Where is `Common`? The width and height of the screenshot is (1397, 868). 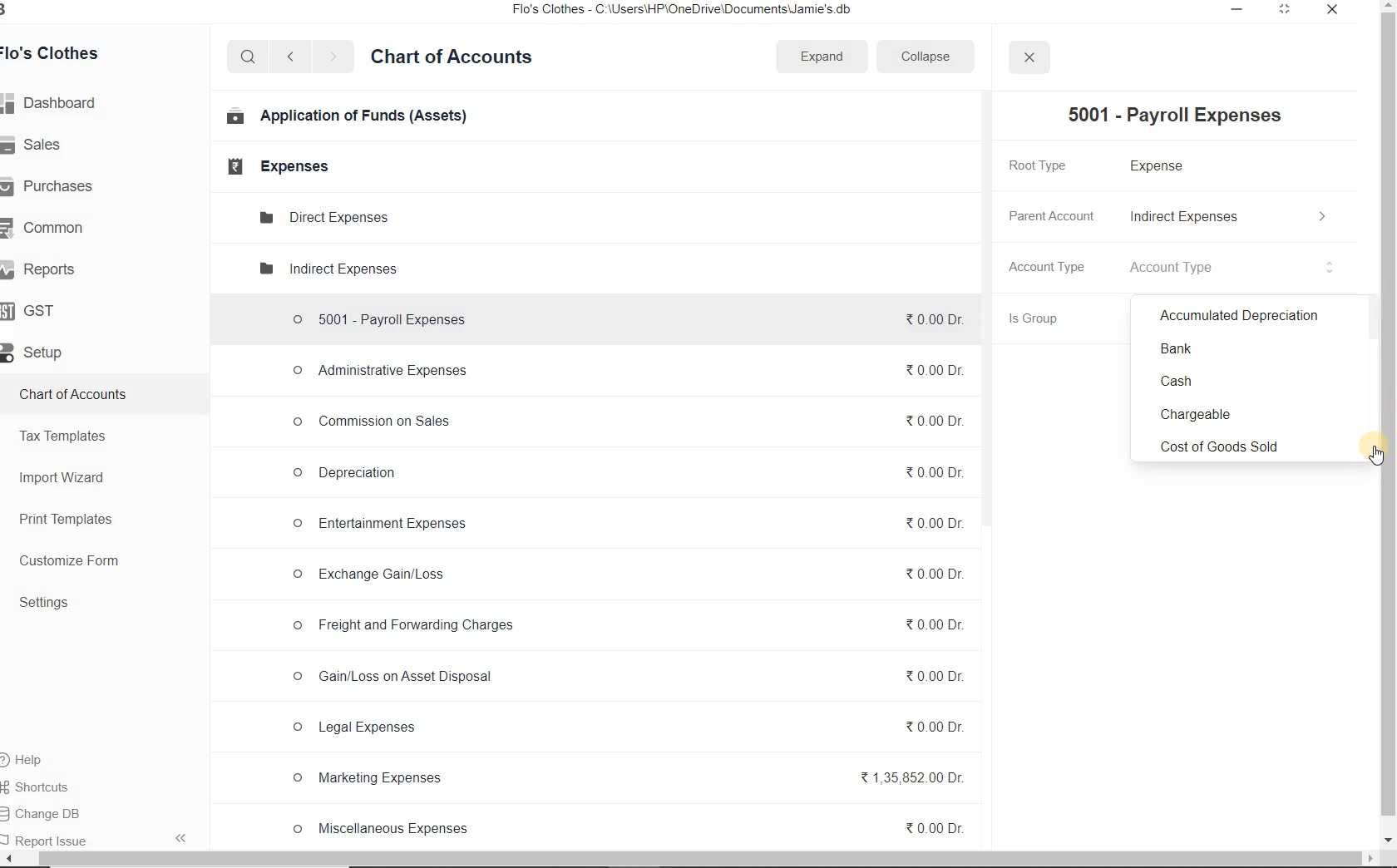
Common is located at coordinates (55, 228).